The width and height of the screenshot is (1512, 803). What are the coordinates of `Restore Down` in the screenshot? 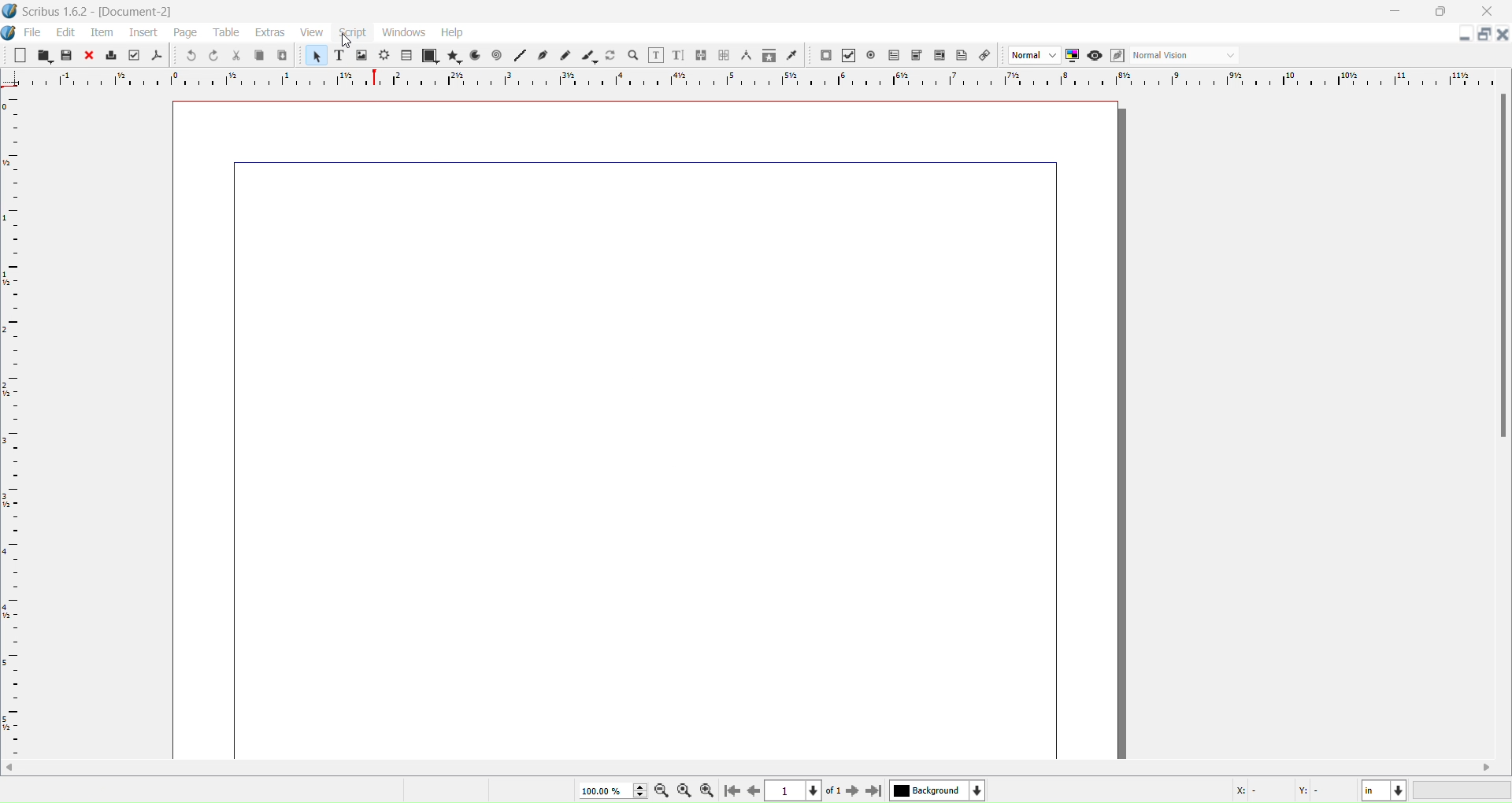 It's located at (1443, 12).